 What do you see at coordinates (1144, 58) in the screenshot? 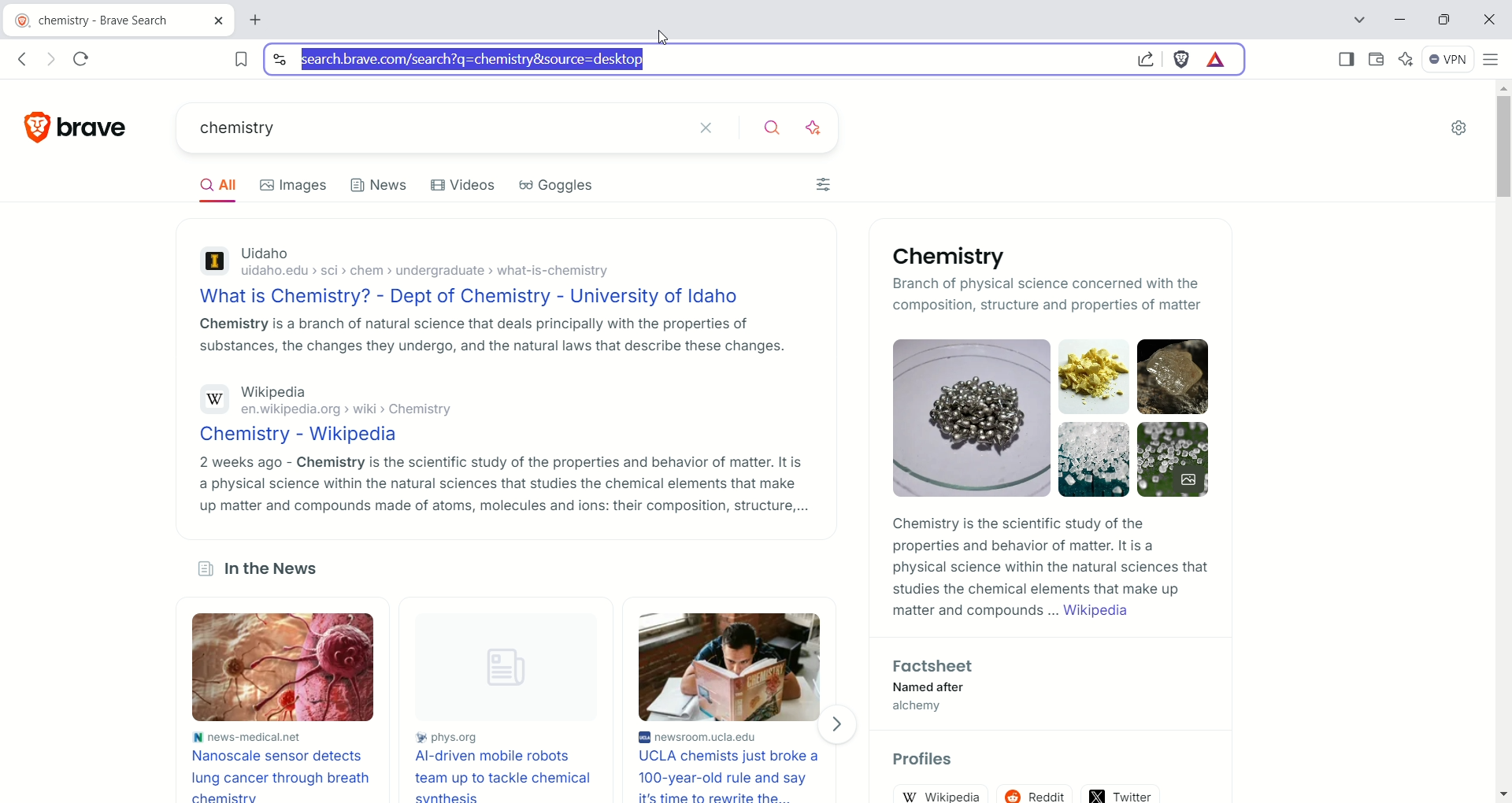
I see `share this page` at bounding box center [1144, 58].